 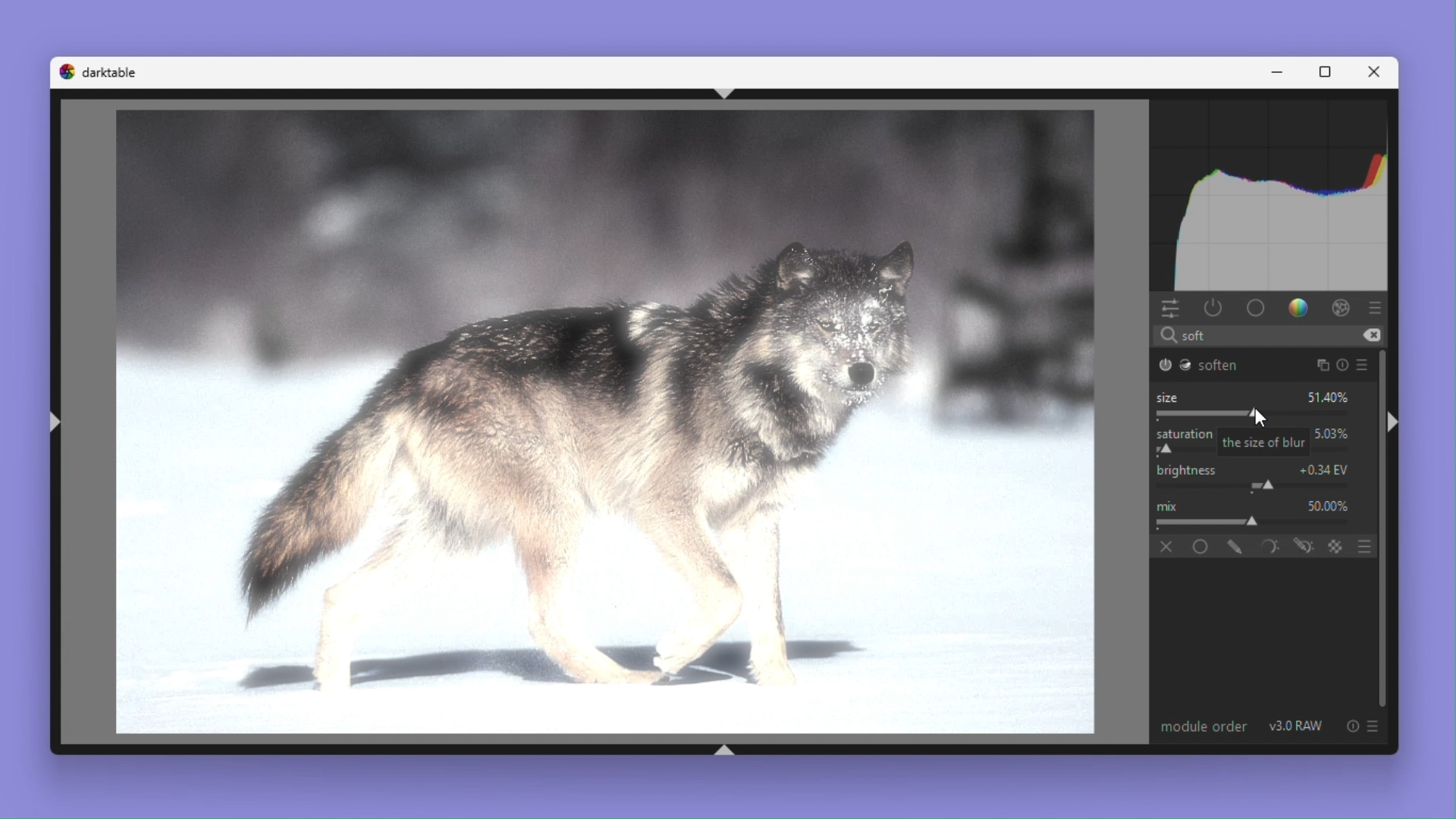 I want to click on Minimise, so click(x=1282, y=72).